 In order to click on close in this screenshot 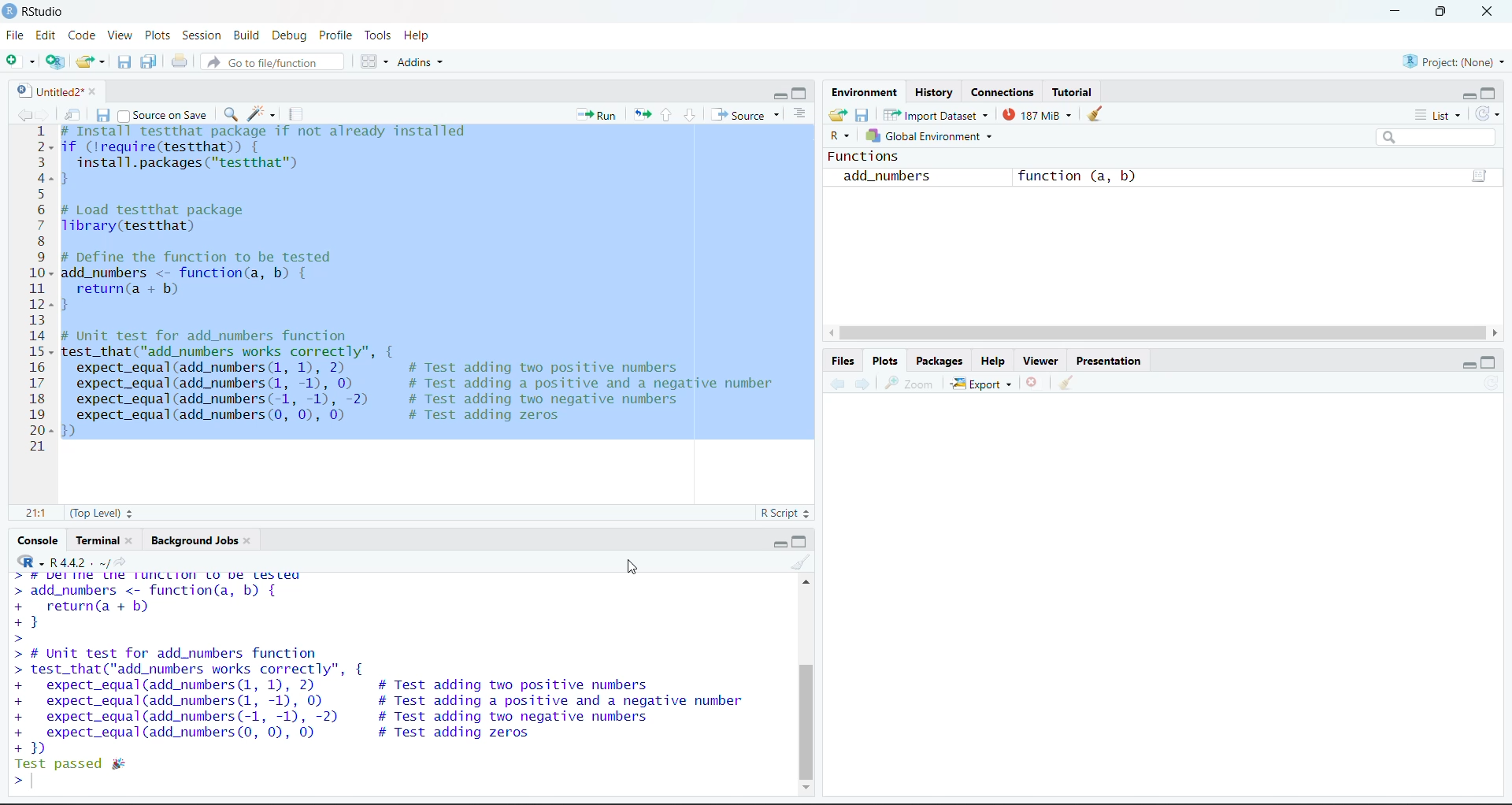, I will do `click(132, 538)`.